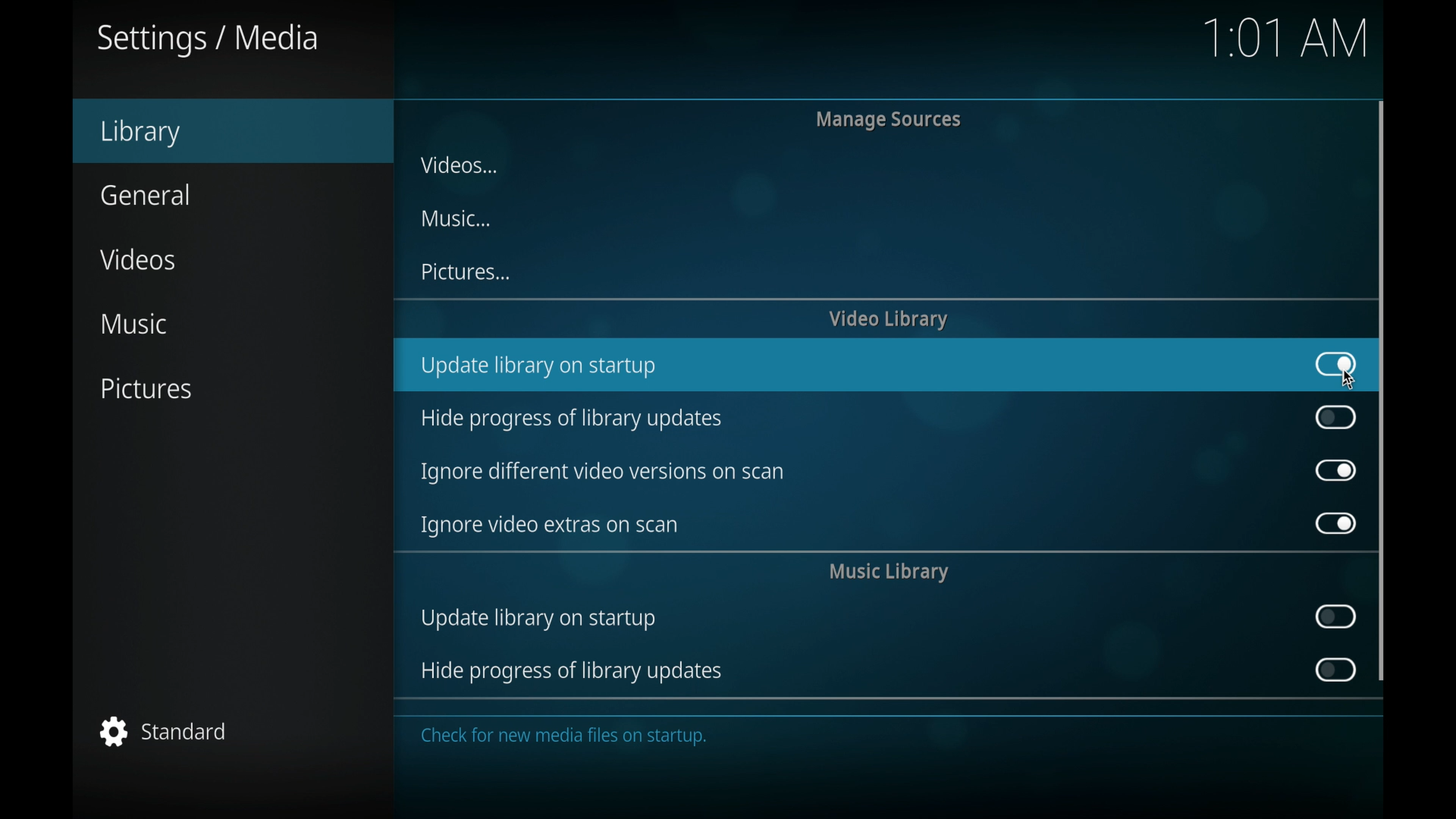 This screenshot has height=819, width=1456. I want to click on videos, so click(136, 259).